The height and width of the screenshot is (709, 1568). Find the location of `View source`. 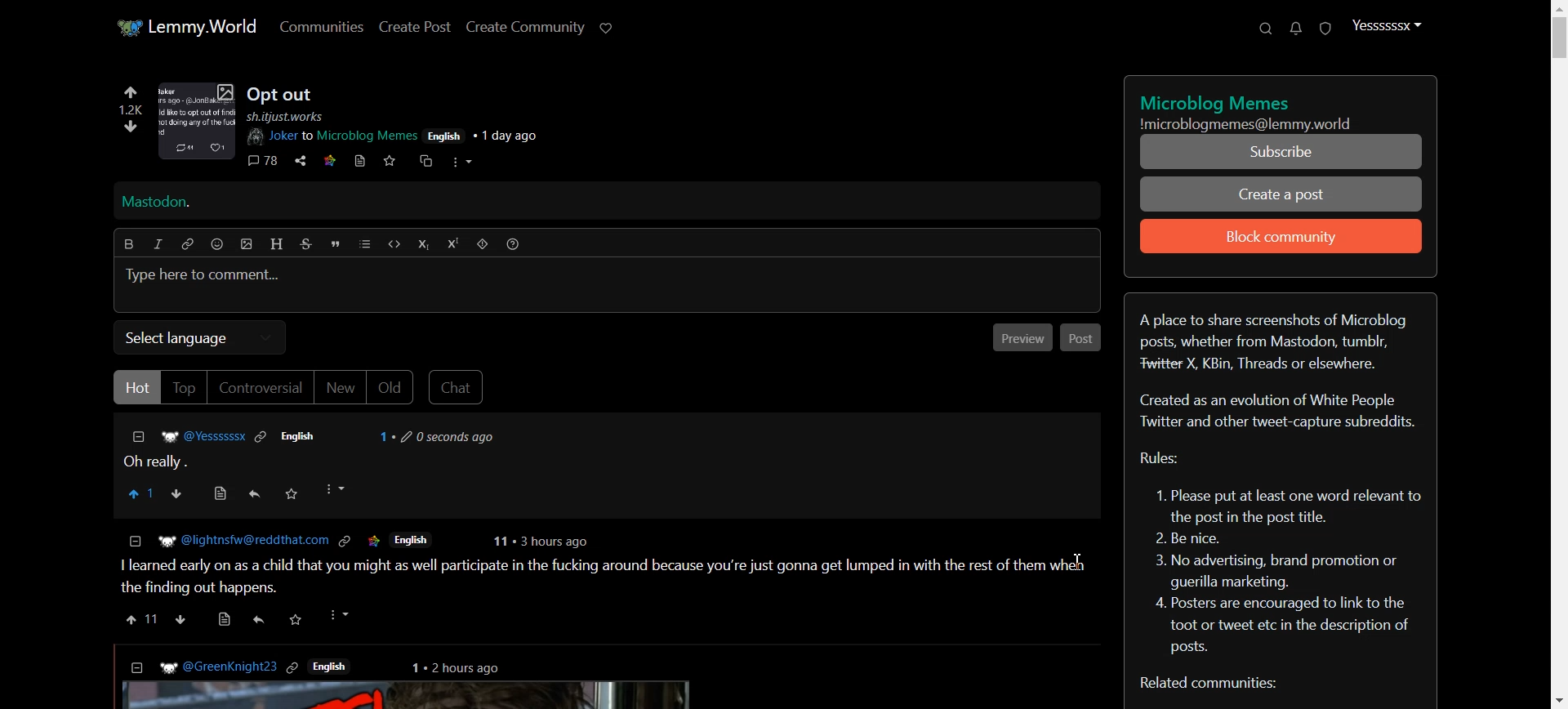

View source is located at coordinates (221, 494).